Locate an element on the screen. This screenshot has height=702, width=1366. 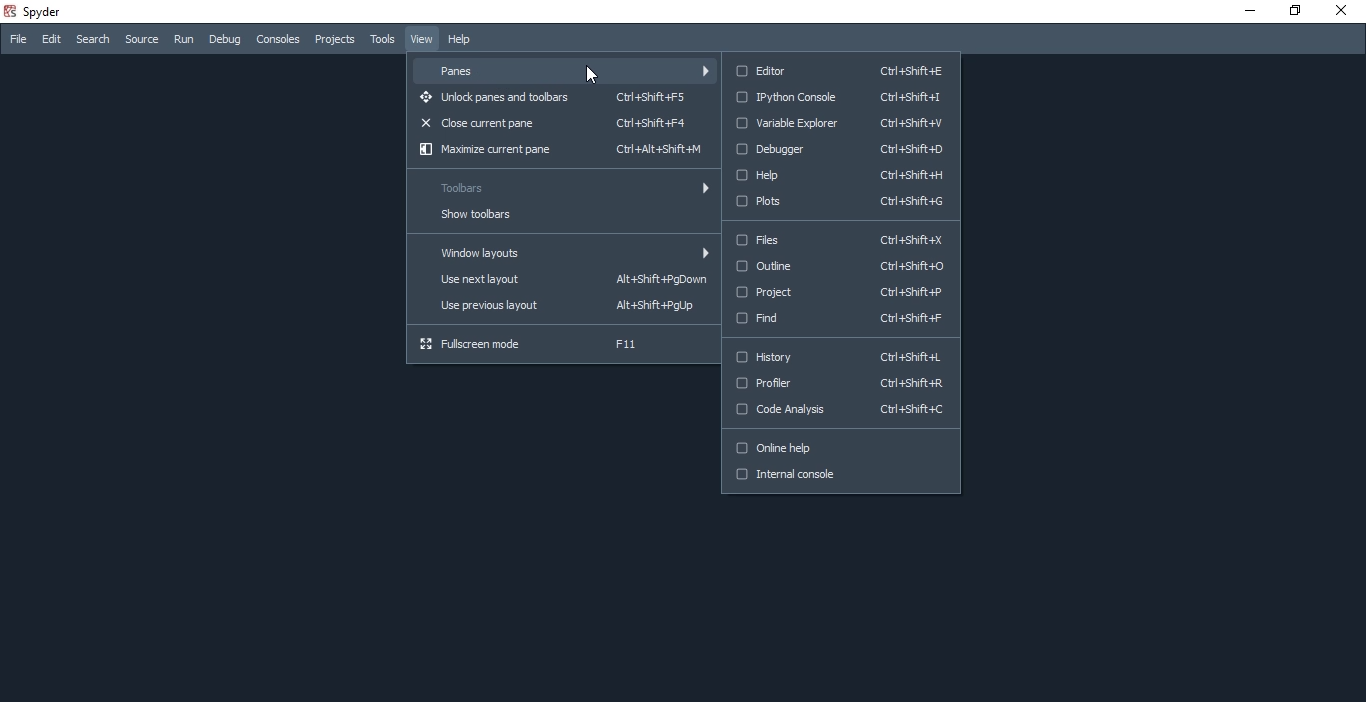
Find is located at coordinates (839, 322).